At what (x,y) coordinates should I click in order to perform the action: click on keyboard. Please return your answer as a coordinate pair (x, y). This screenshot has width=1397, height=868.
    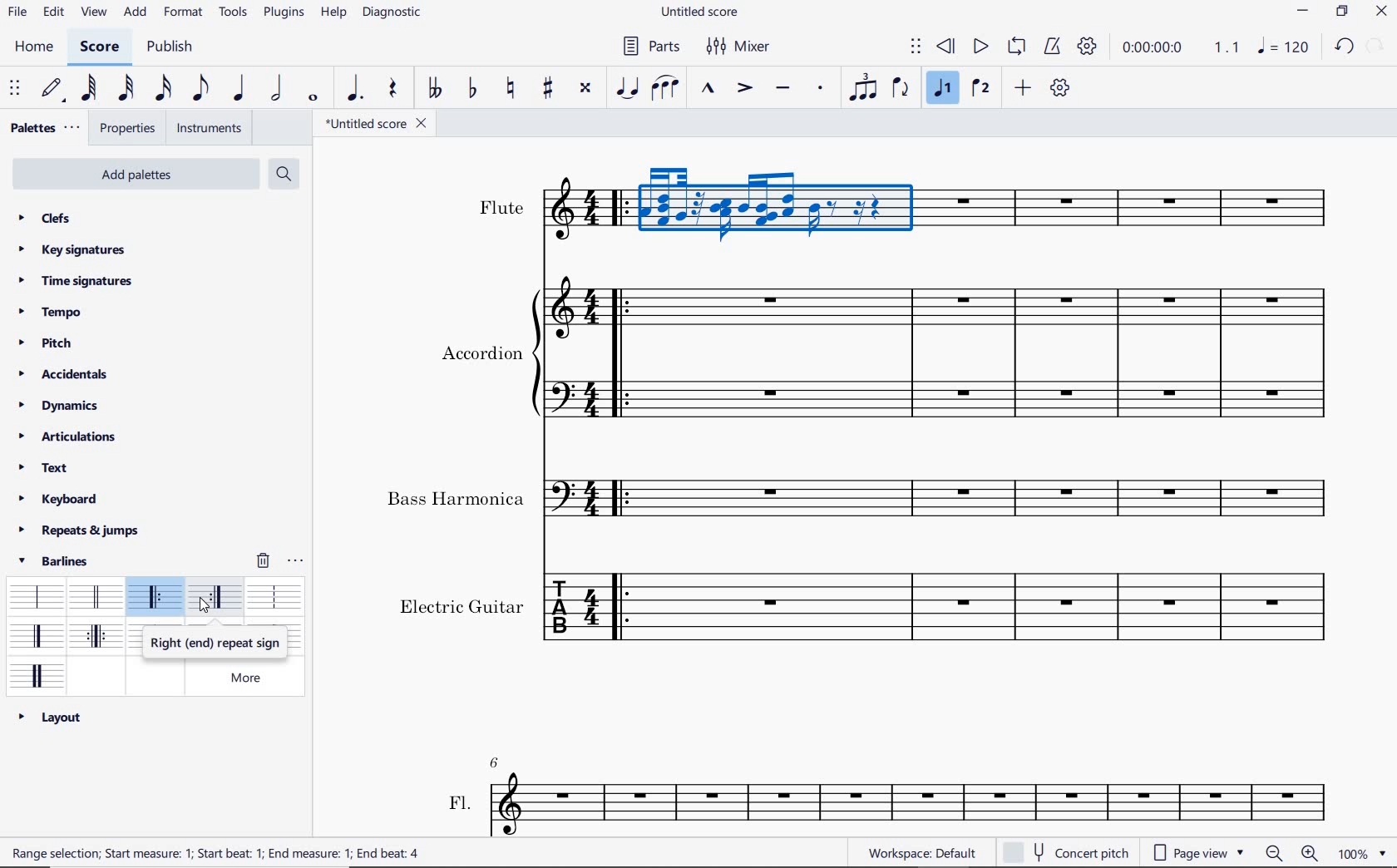
    Looking at the image, I should click on (61, 499).